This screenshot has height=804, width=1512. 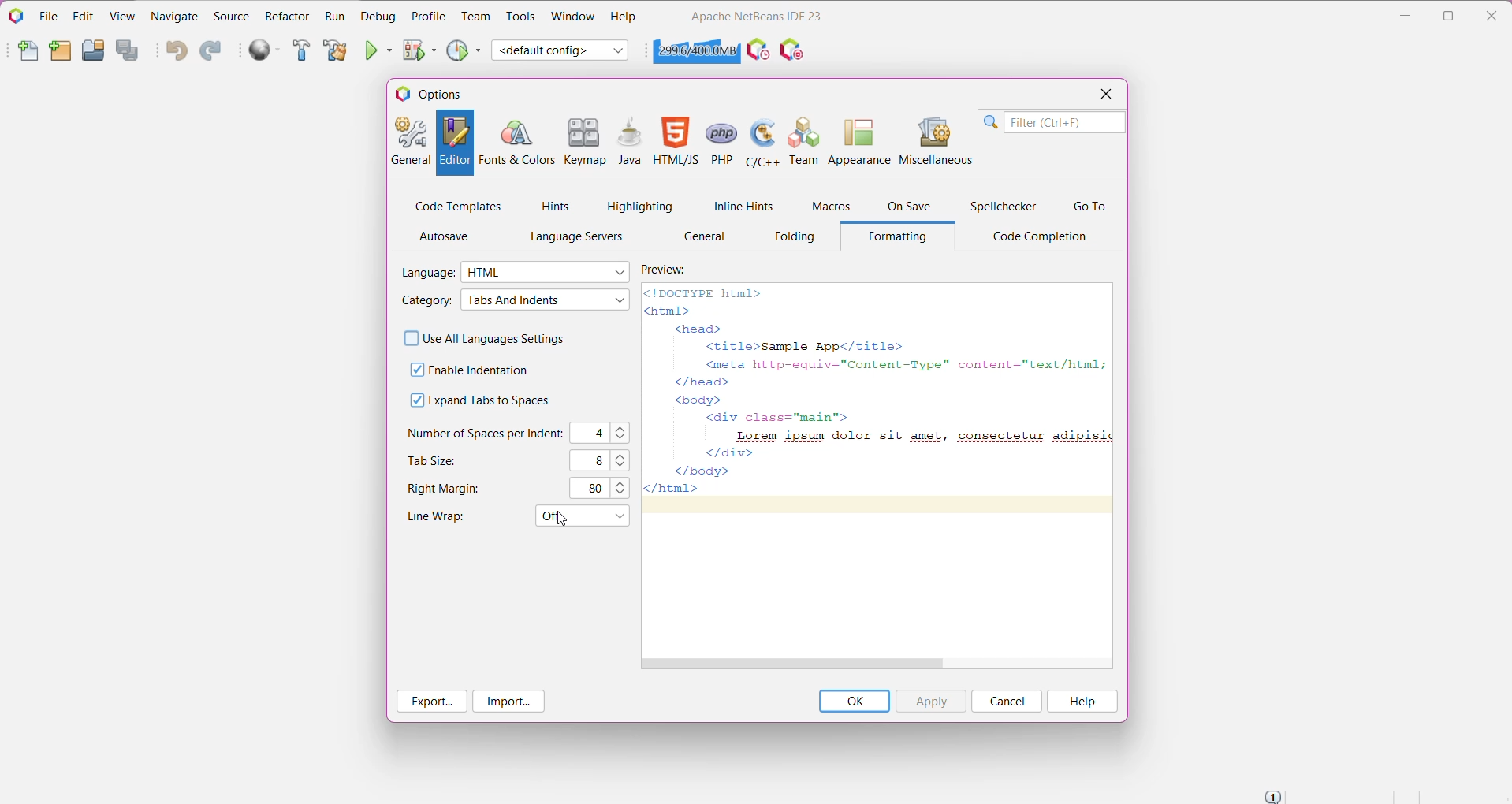 I want to click on Folding, so click(x=791, y=240).